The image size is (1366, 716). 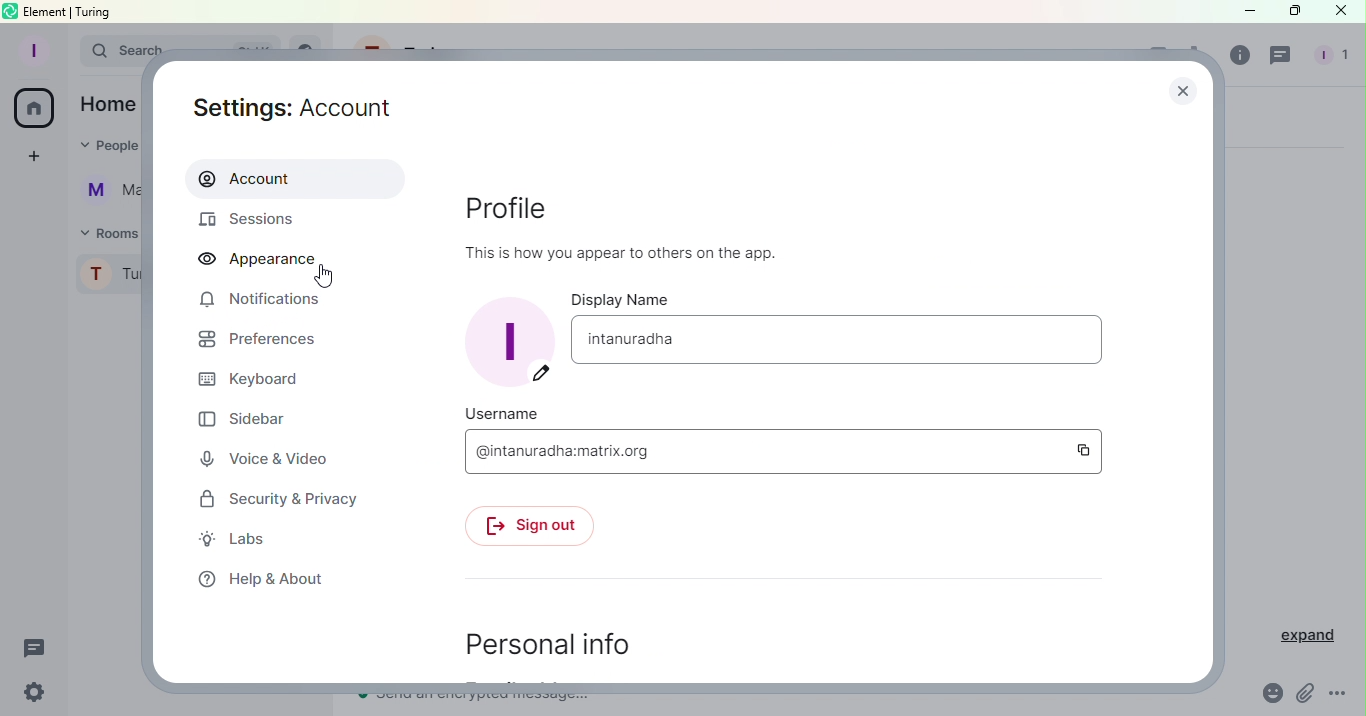 What do you see at coordinates (112, 53) in the screenshot?
I see `Search` at bounding box center [112, 53].